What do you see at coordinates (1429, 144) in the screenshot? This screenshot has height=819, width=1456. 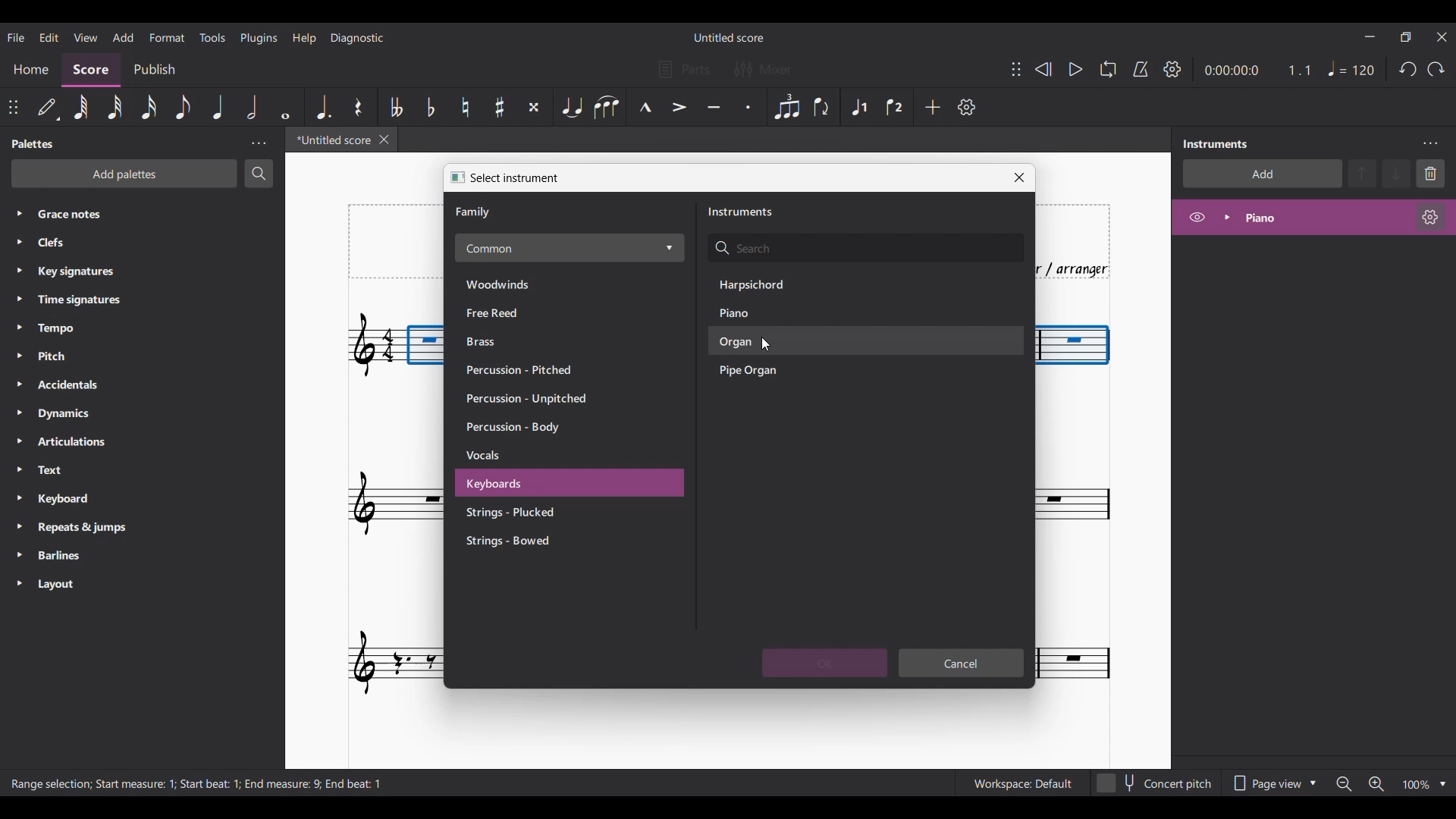 I see `Instrument settings` at bounding box center [1429, 144].